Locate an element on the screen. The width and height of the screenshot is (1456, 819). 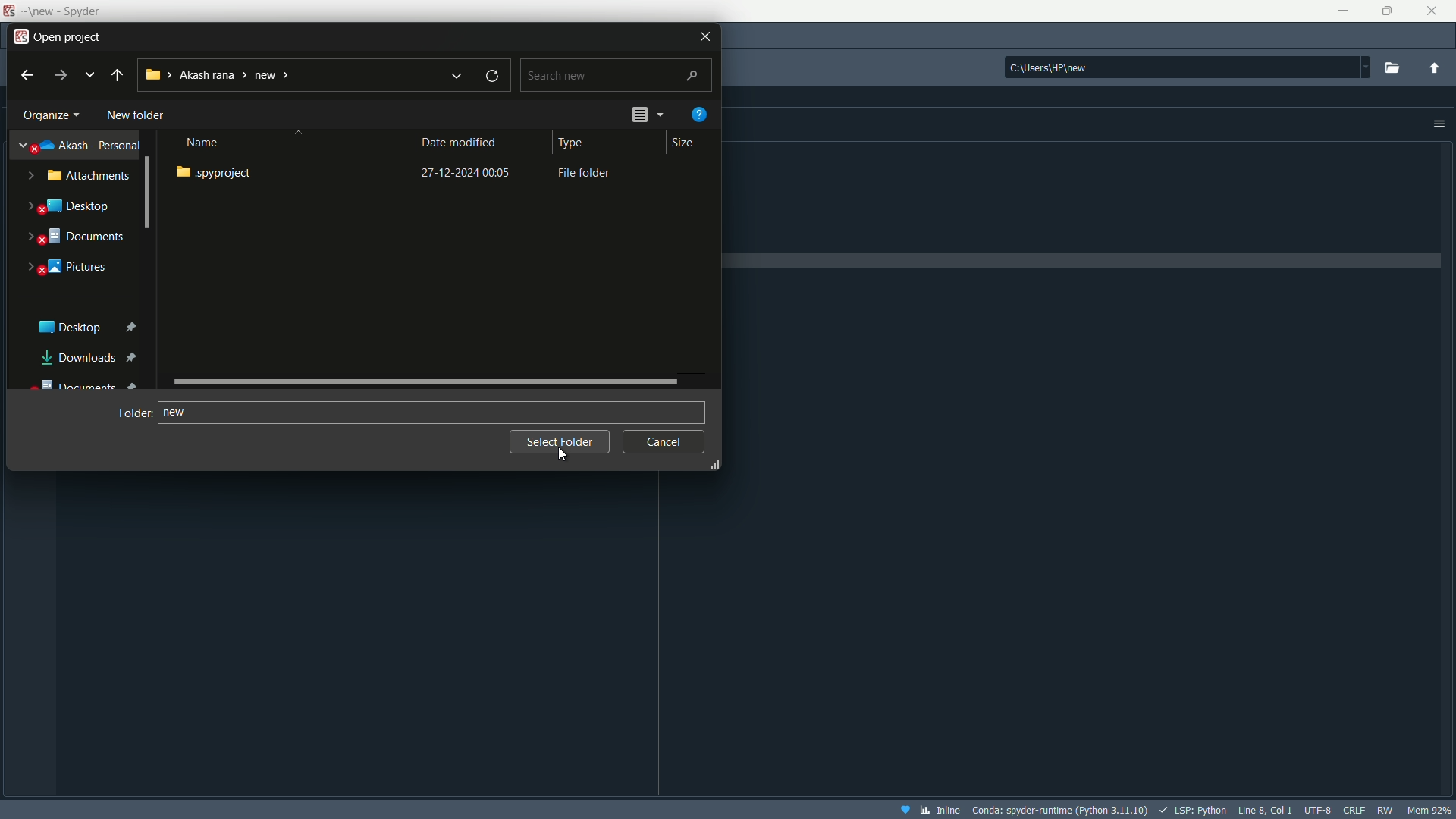
LSP:Python is located at coordinates (1190, 808).